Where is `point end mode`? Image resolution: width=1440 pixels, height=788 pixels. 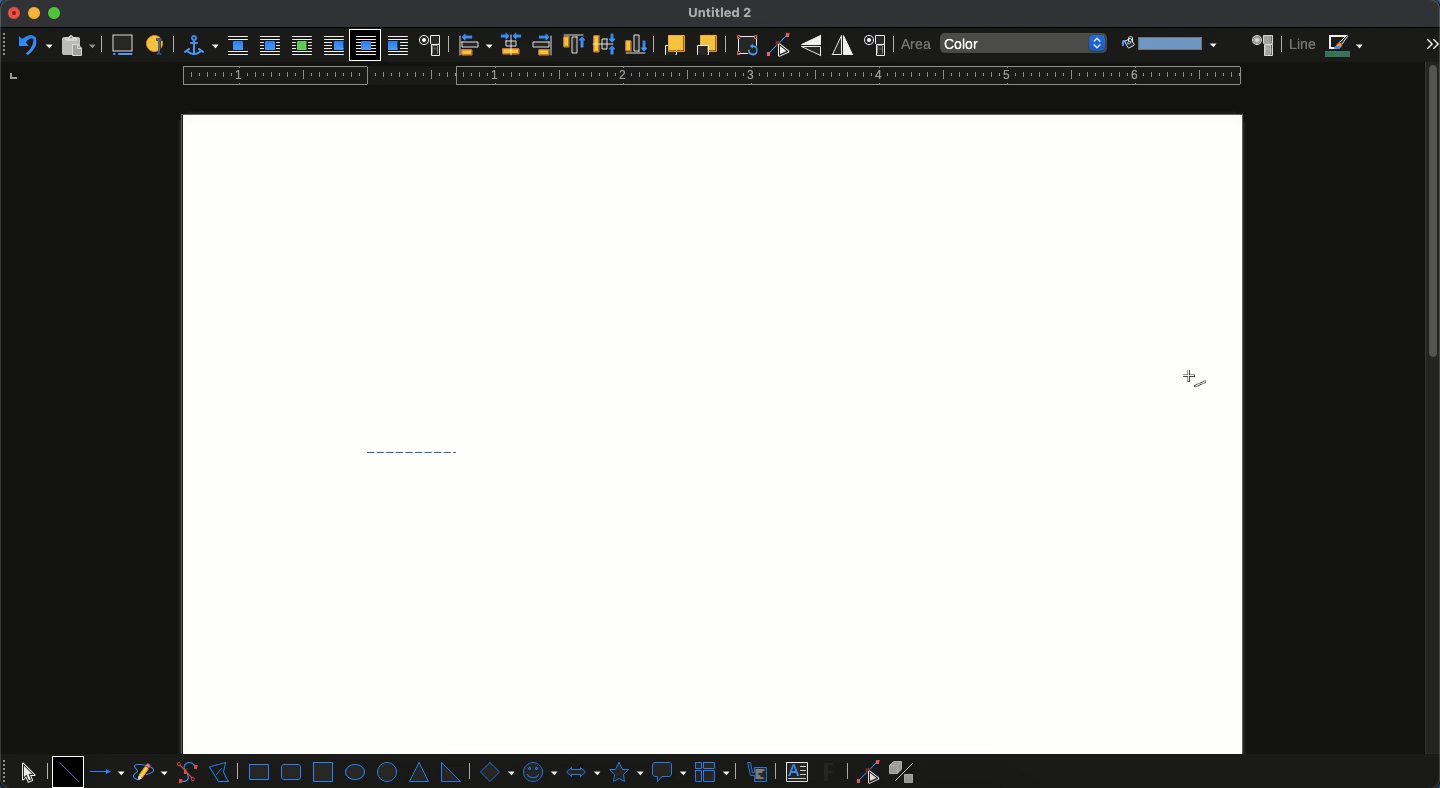
point end mode is located at coordinates (864, 772).